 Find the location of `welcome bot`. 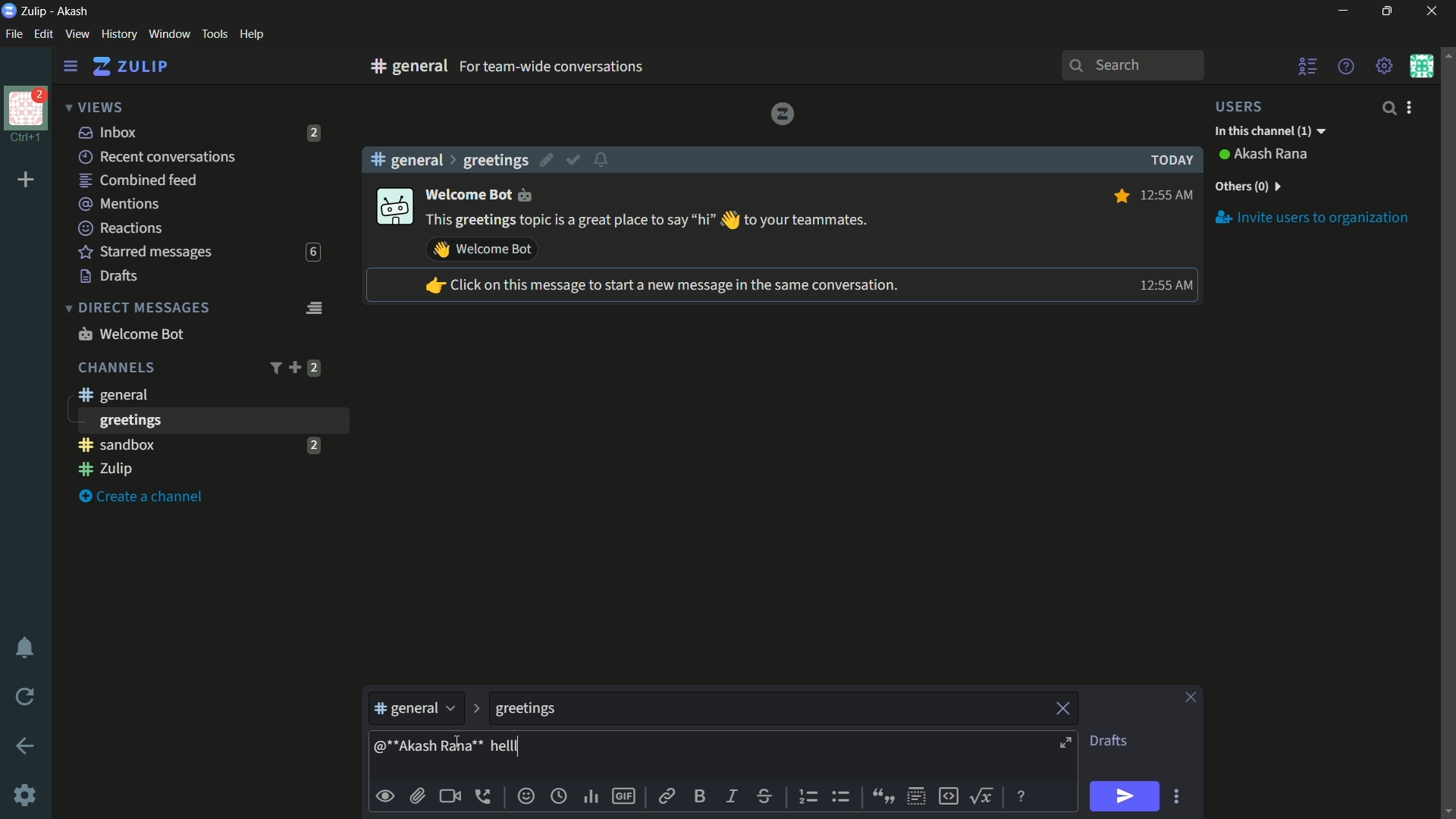

welcome bot is located at coordinates (130, 334).